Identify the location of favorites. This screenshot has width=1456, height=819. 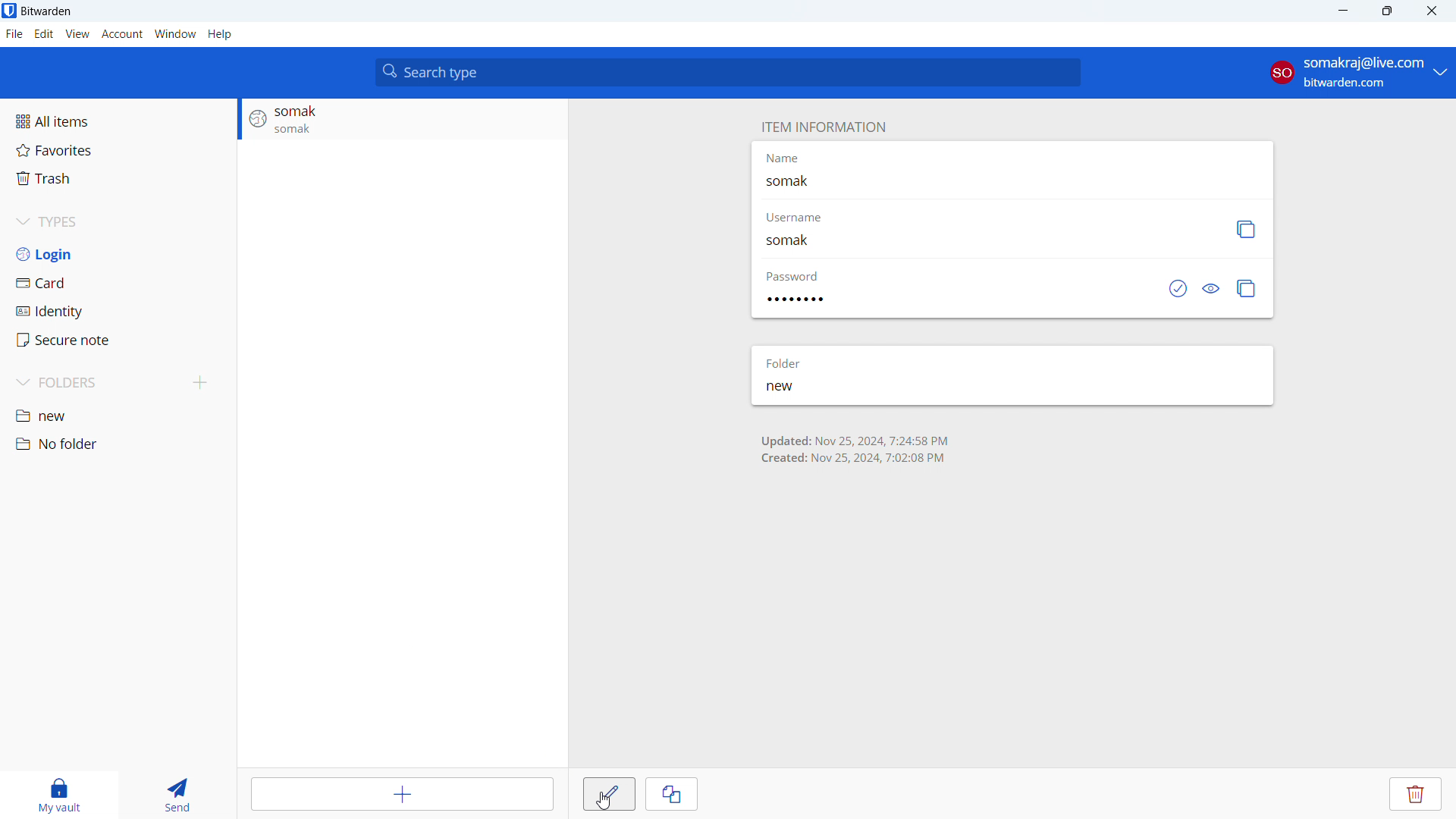
(118, 150).